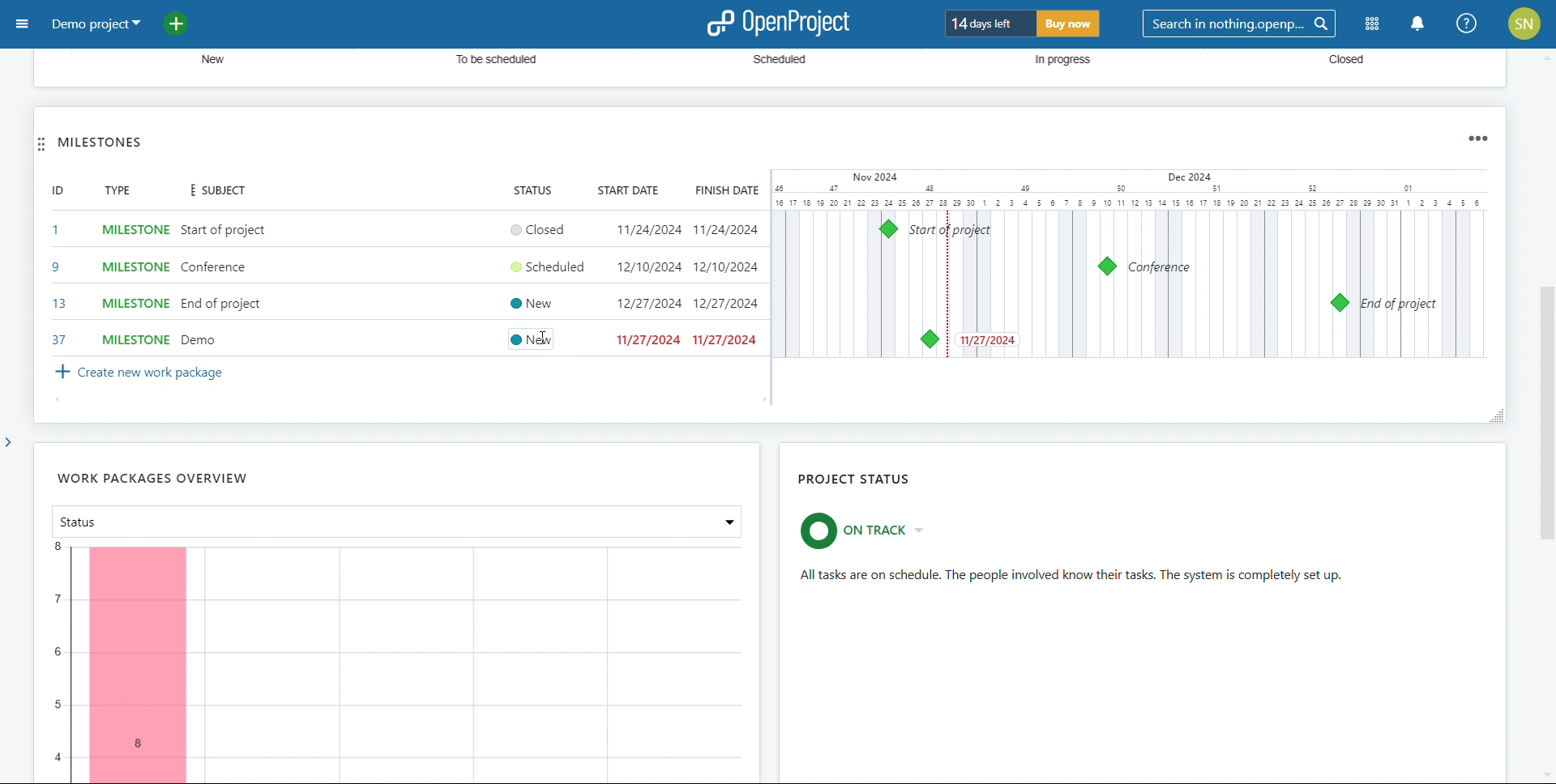 This screenshot has height=784, width=1556. I want to click on help, so click(1468, 24).